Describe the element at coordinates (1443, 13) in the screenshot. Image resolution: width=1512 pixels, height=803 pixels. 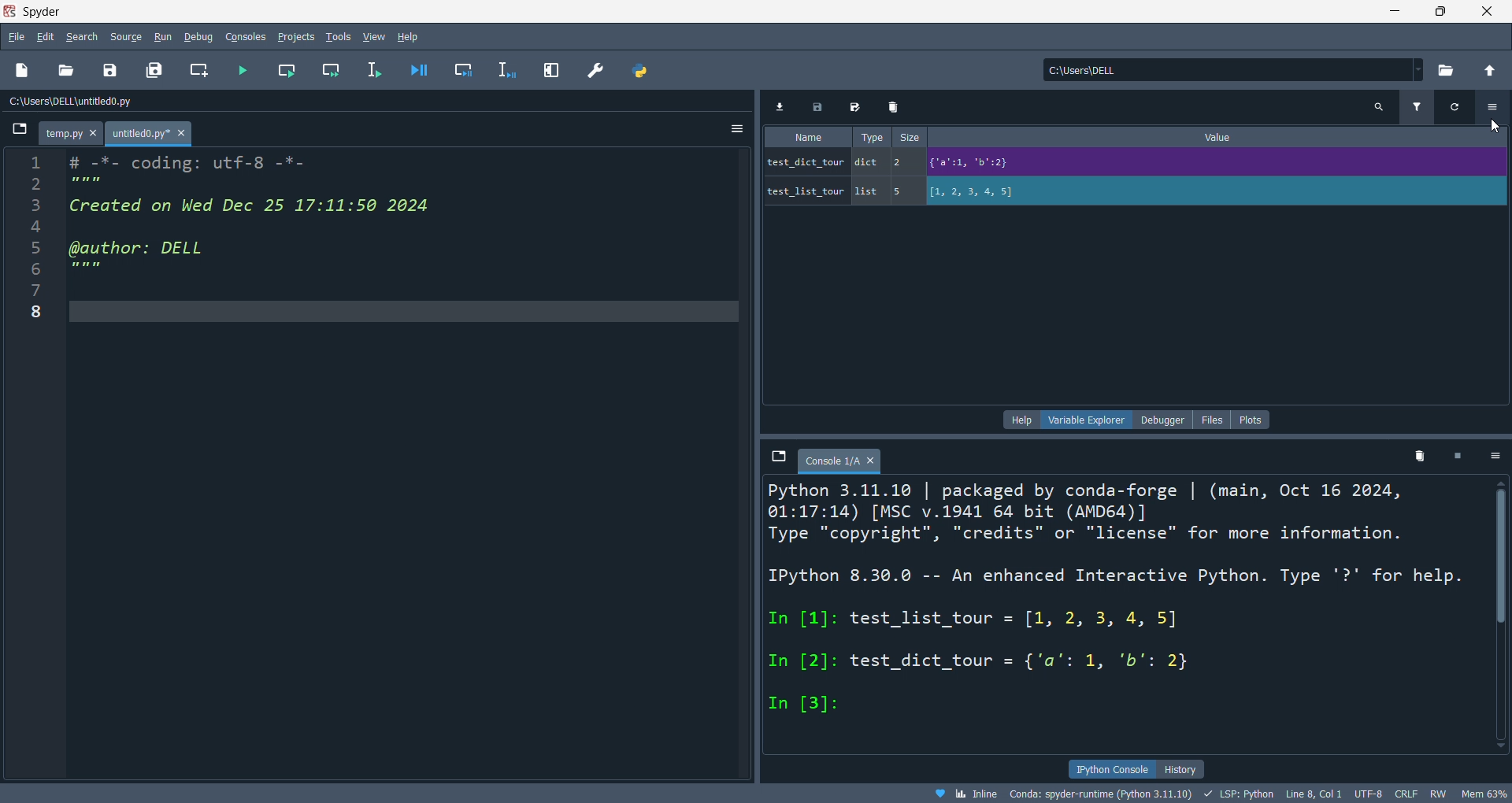
I see `maximize` at that location.